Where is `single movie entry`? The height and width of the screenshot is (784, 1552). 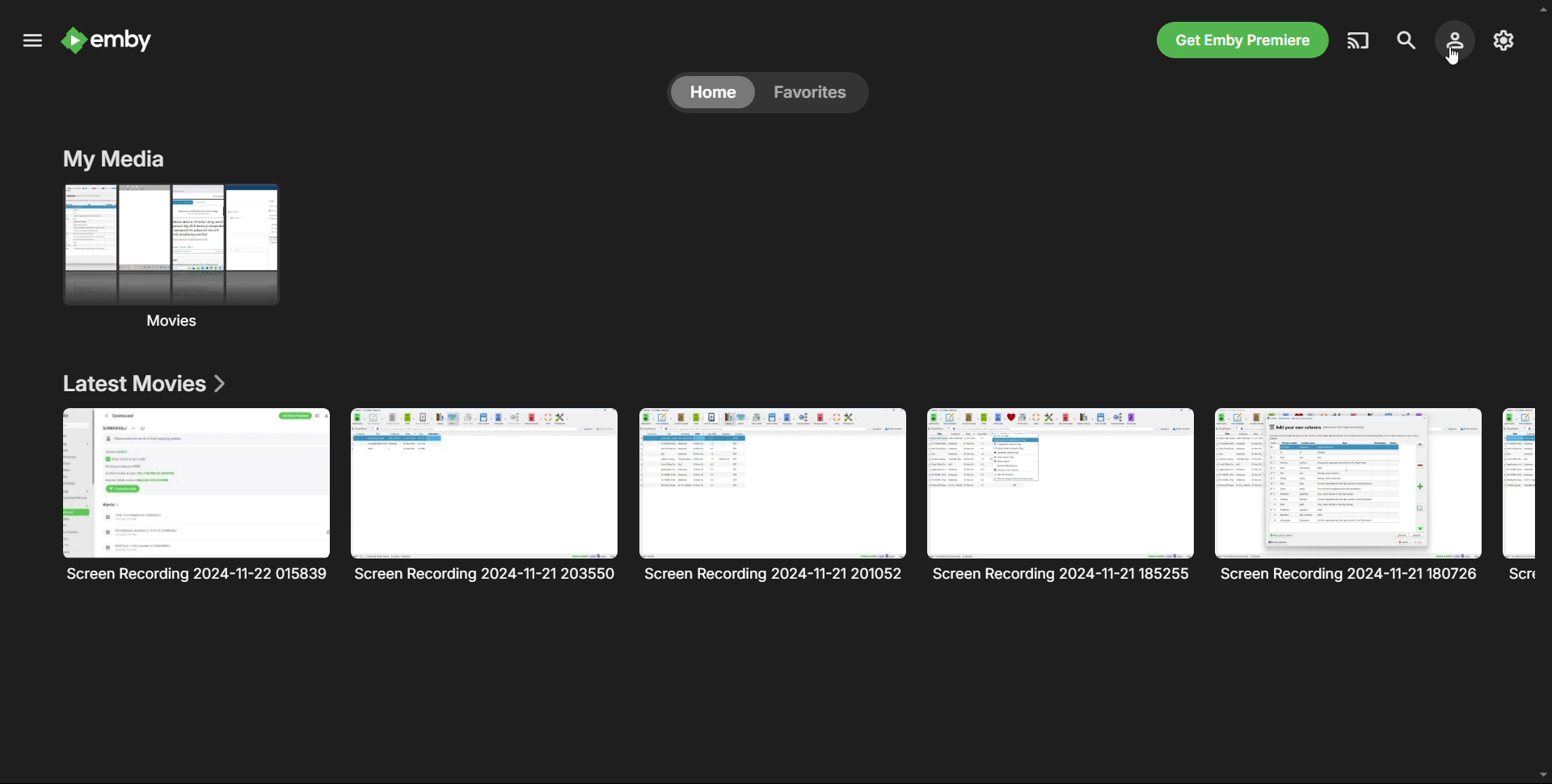
single movie entry is located at coordinates (196, 495).